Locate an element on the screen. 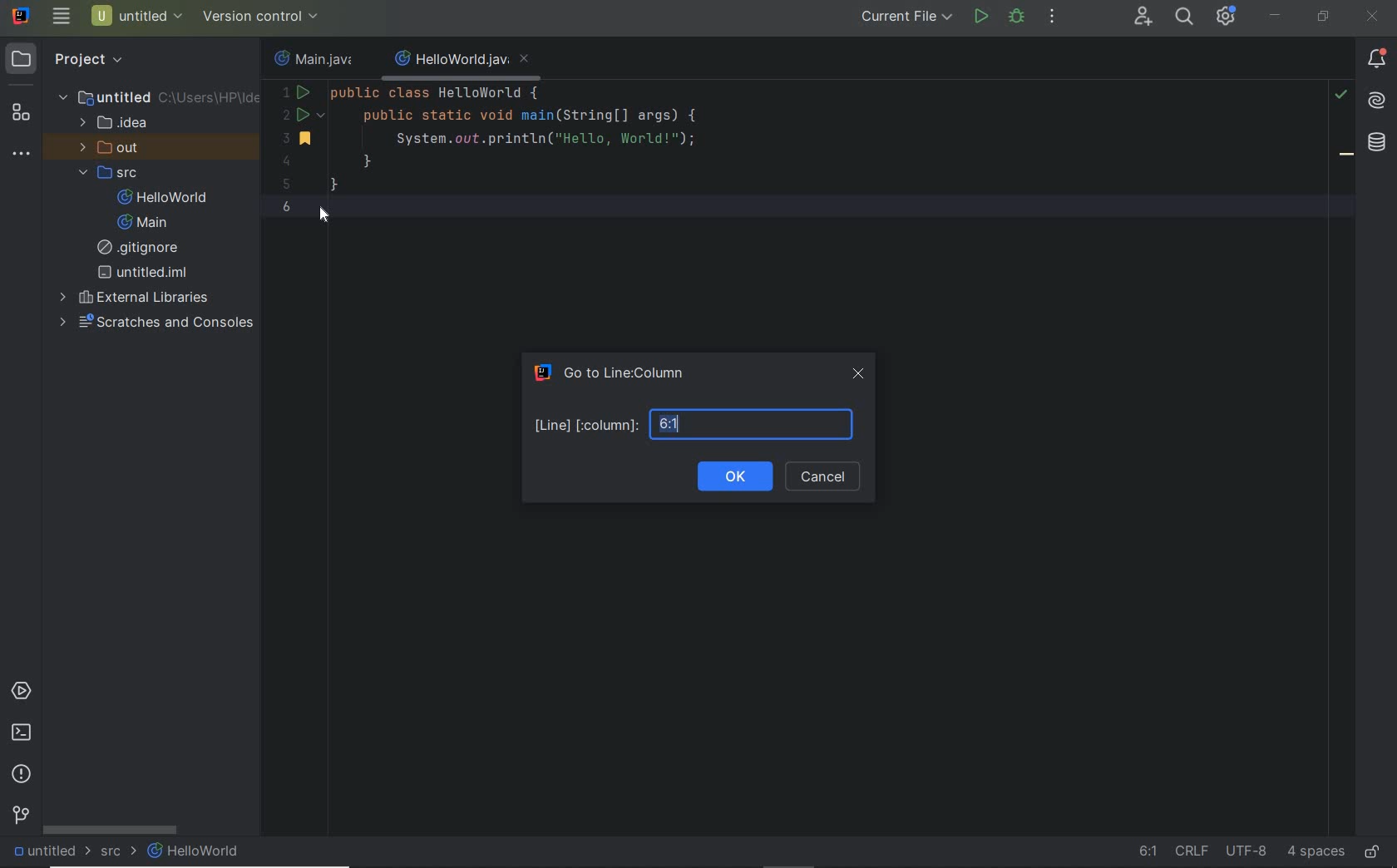 This screenshot has width=1397, height=868. gitignore is located at coordinates (144, 248).